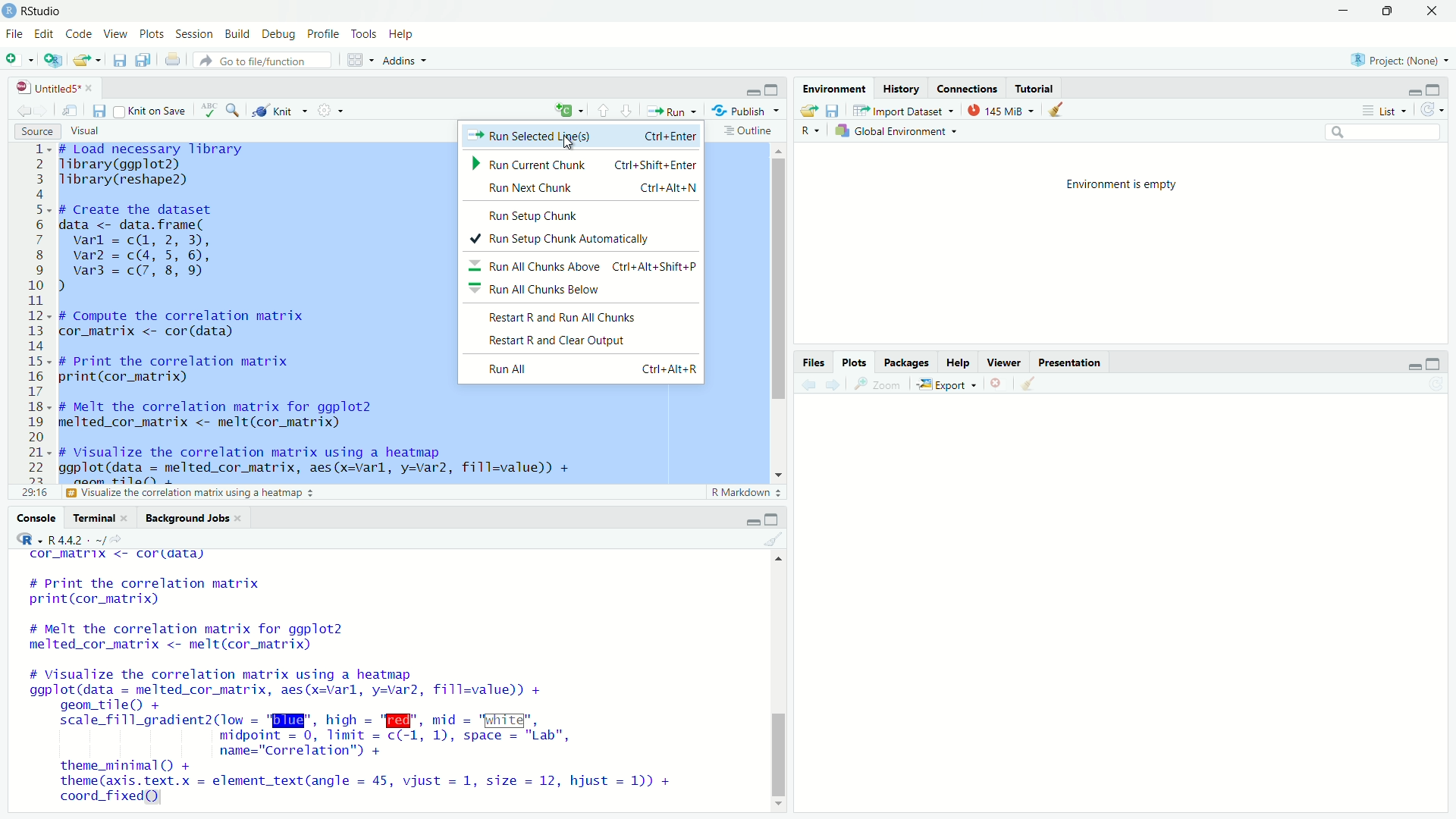 The image size is (1456, 819). Describe the element at coordinates (773, 519) in the screenshot. I see `maximize` at that location.